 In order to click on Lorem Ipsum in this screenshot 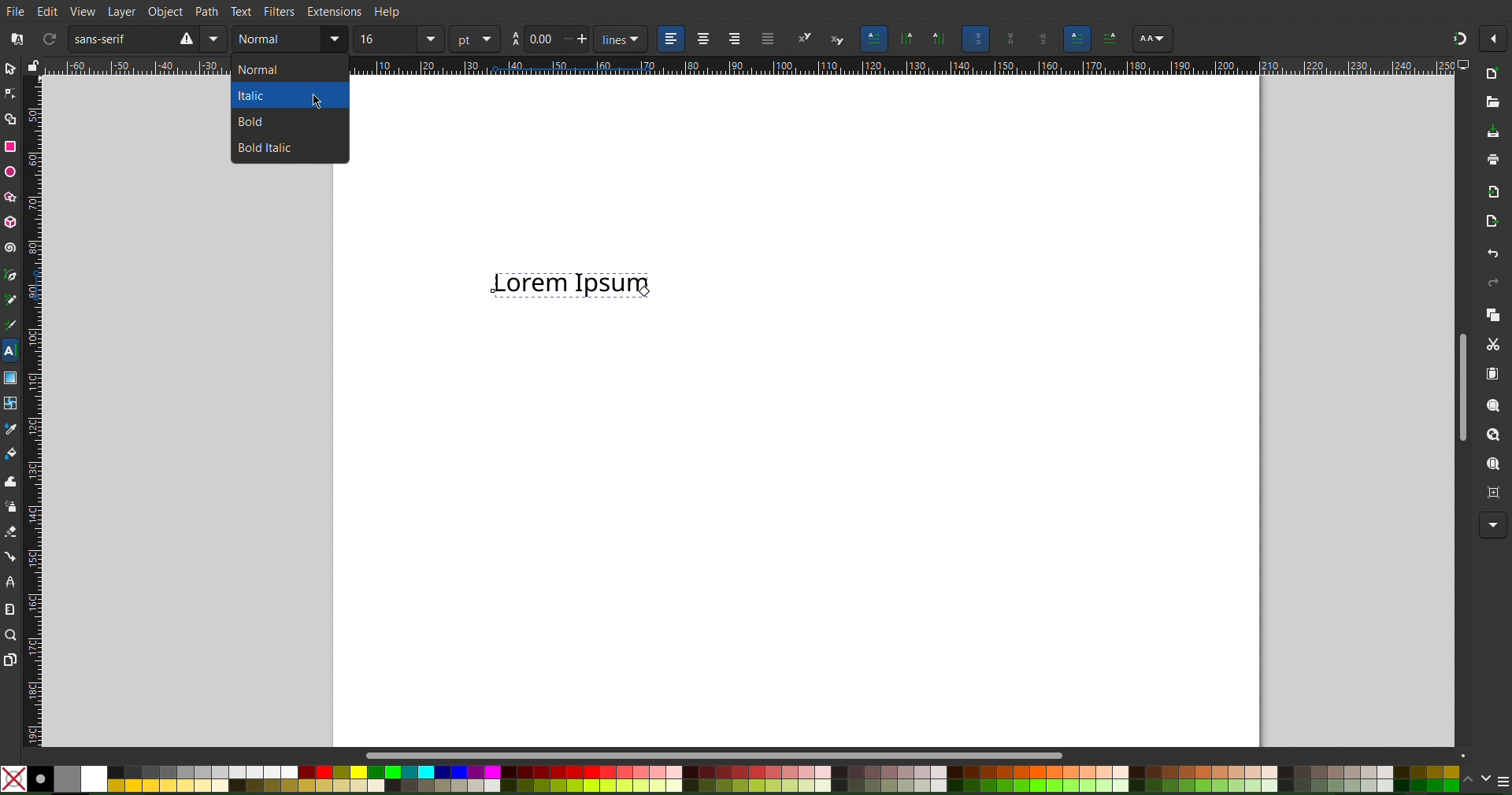, I will do `click(567, 290)`.